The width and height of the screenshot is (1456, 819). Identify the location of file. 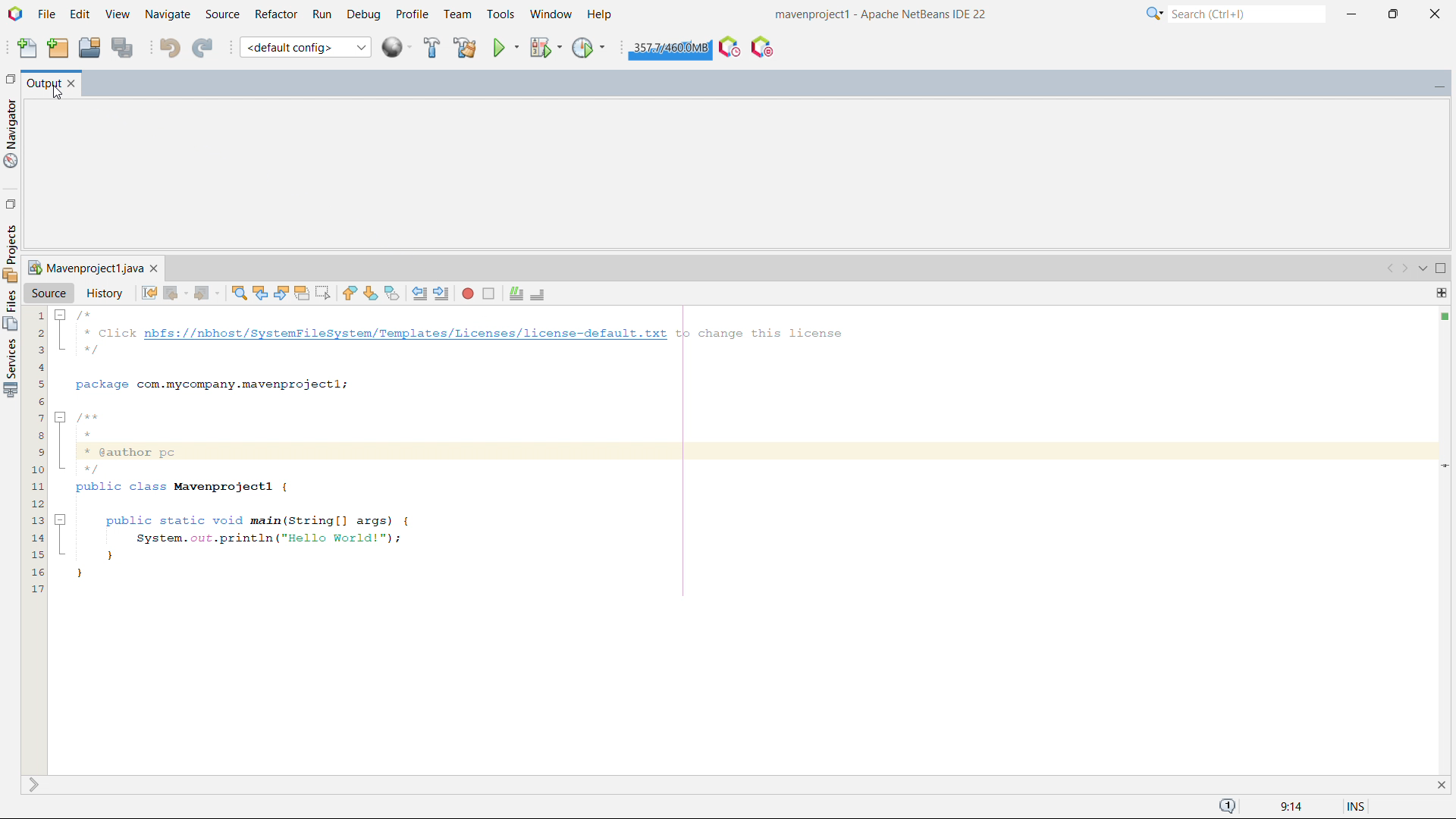
(46, 14).